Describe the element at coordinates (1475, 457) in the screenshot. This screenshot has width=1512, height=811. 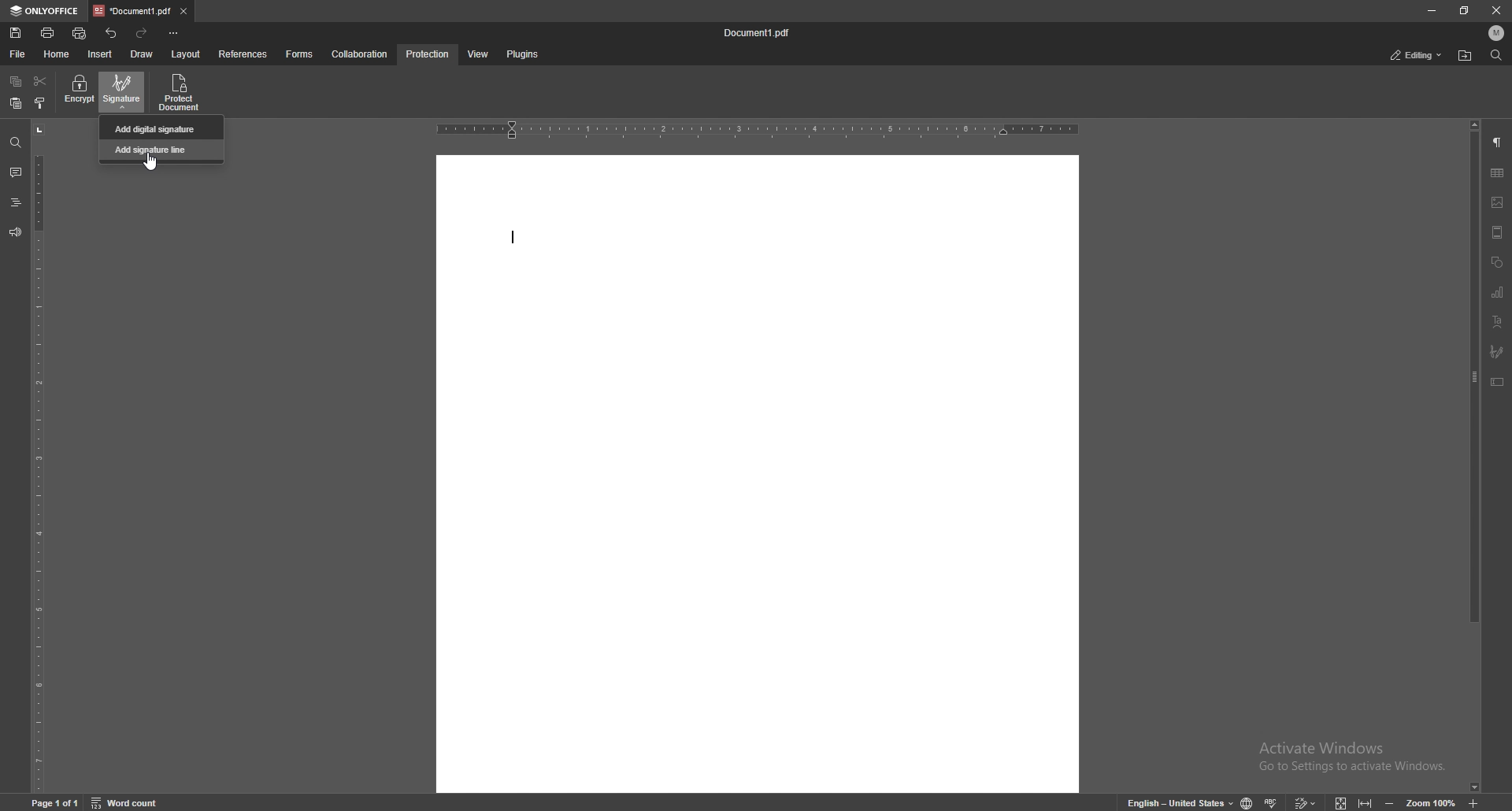
I see `scroll bar` at that location.